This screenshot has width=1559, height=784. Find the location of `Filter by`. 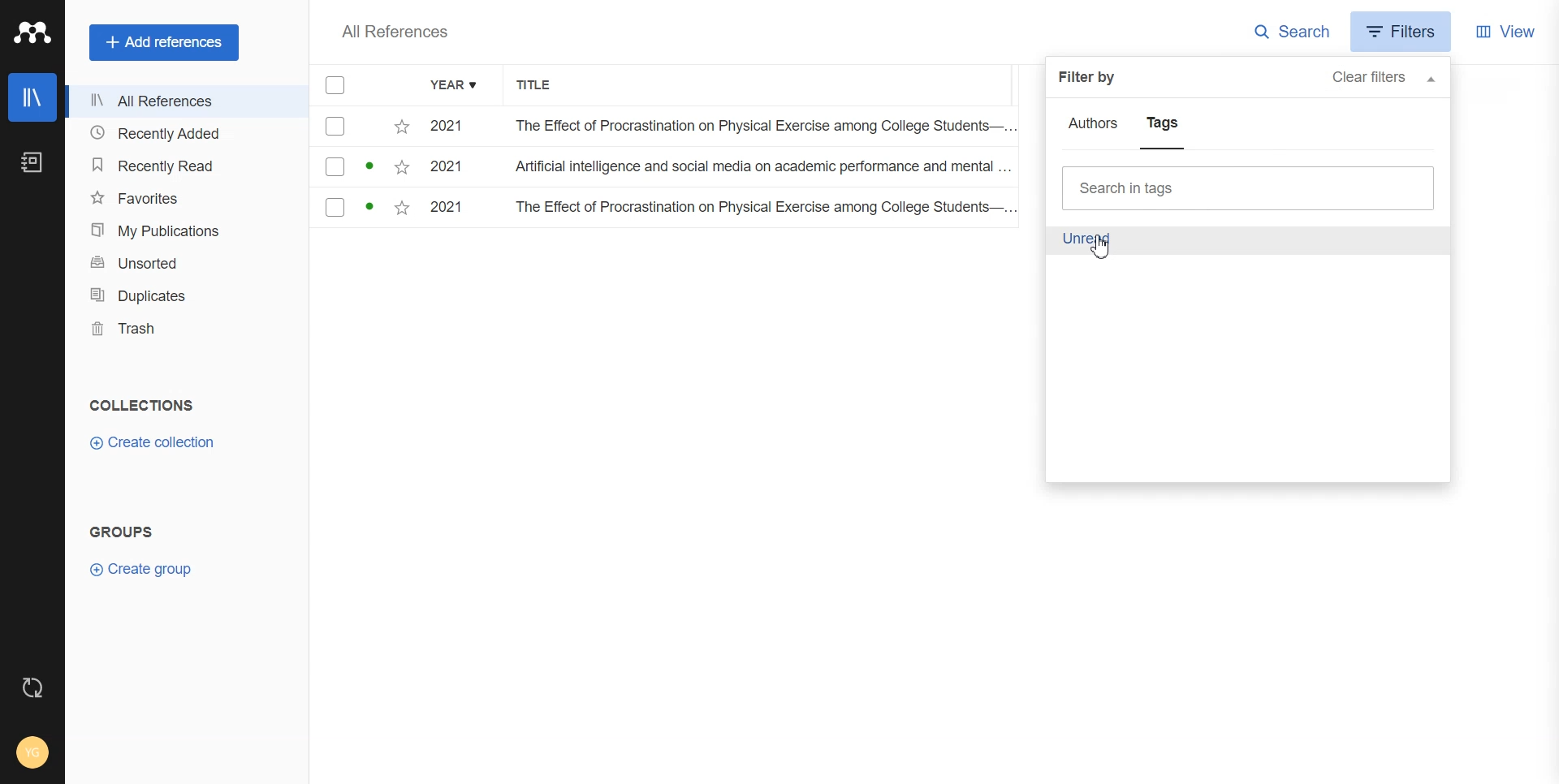

Filter by is located at coordinates (1092, 78).